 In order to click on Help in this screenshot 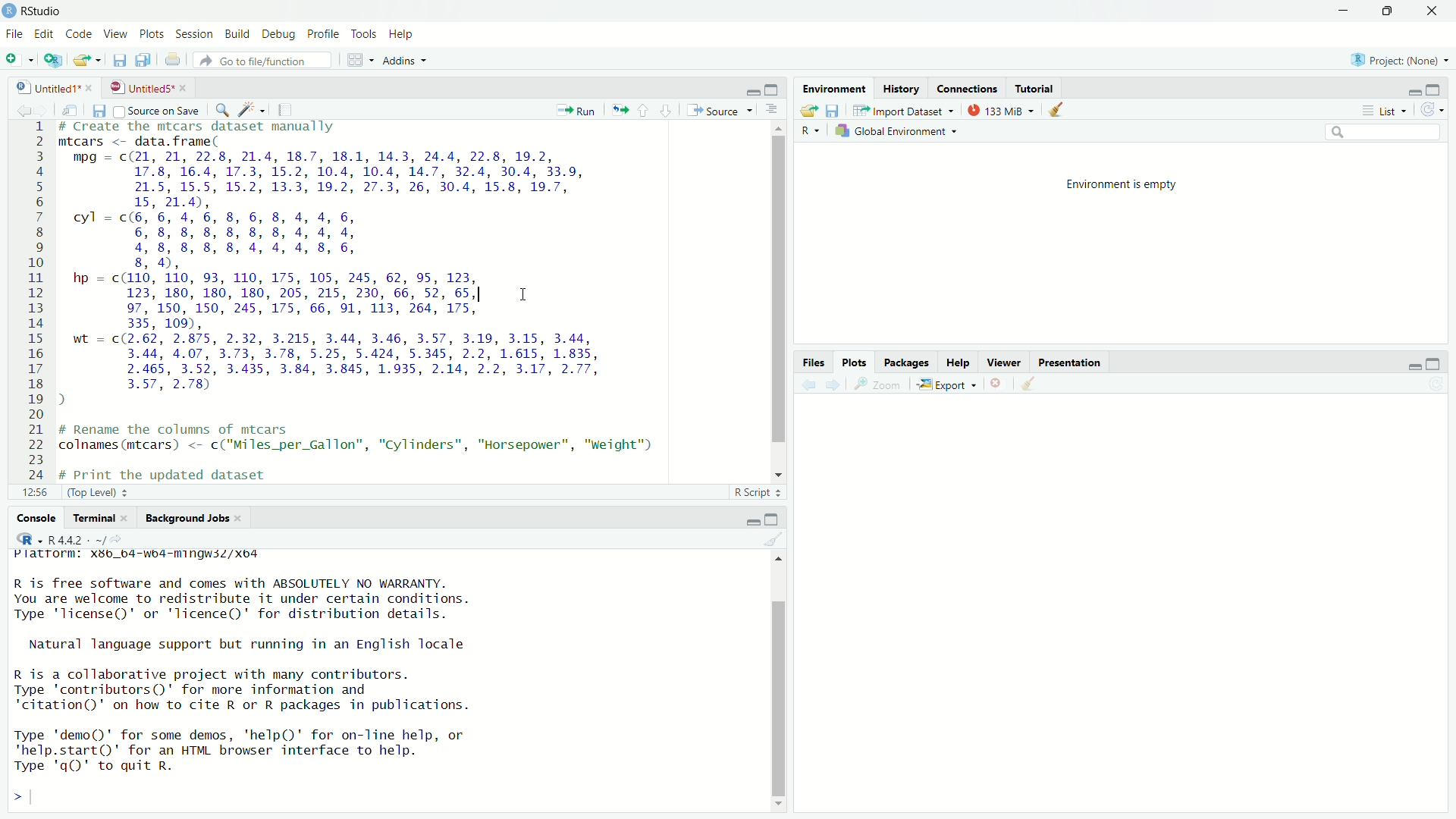, I will do `click(960, 364)`.